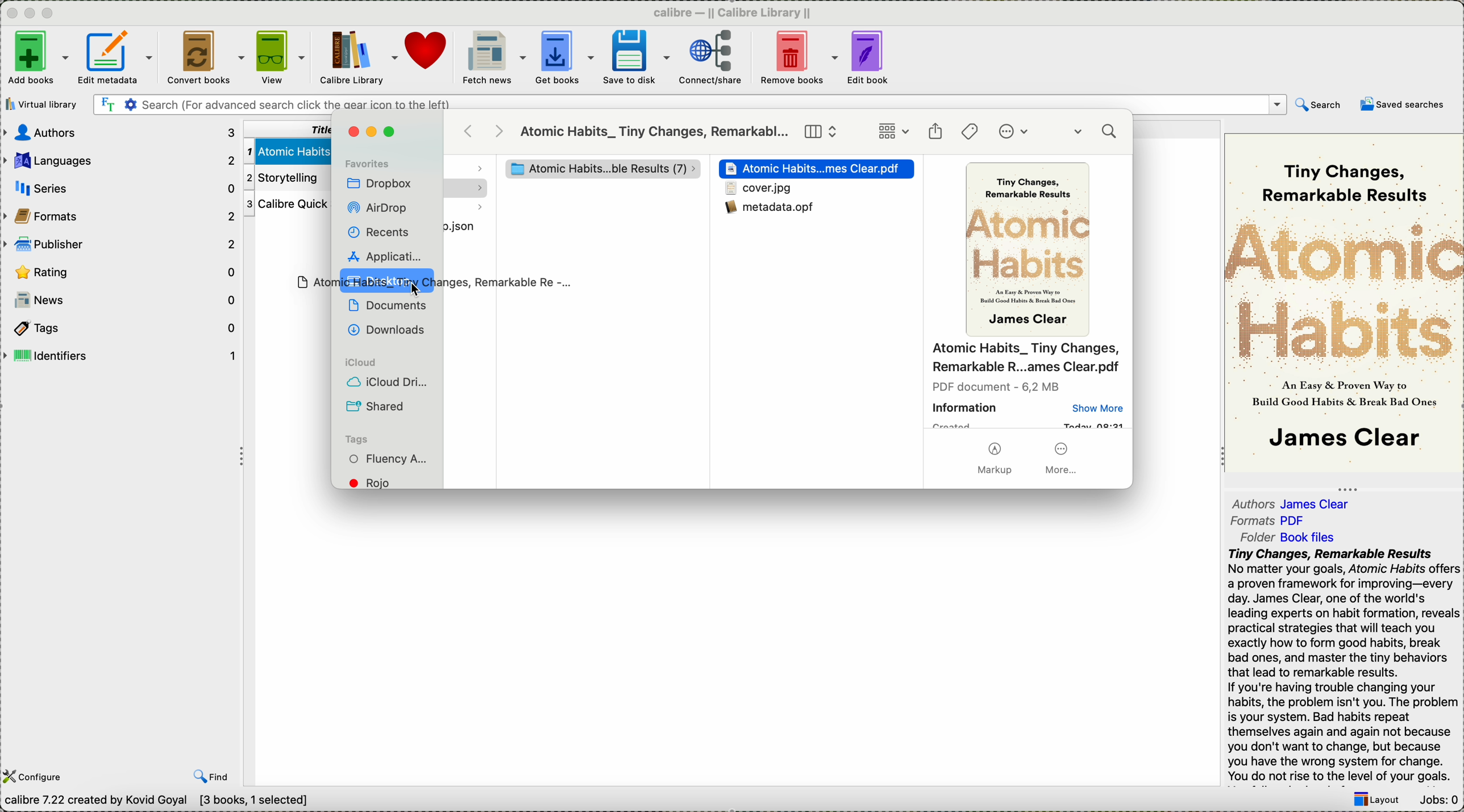  What do you see at coordinates (737, 12) in the screenshot?
I see `Calibre` at bounding box center [737, 12].